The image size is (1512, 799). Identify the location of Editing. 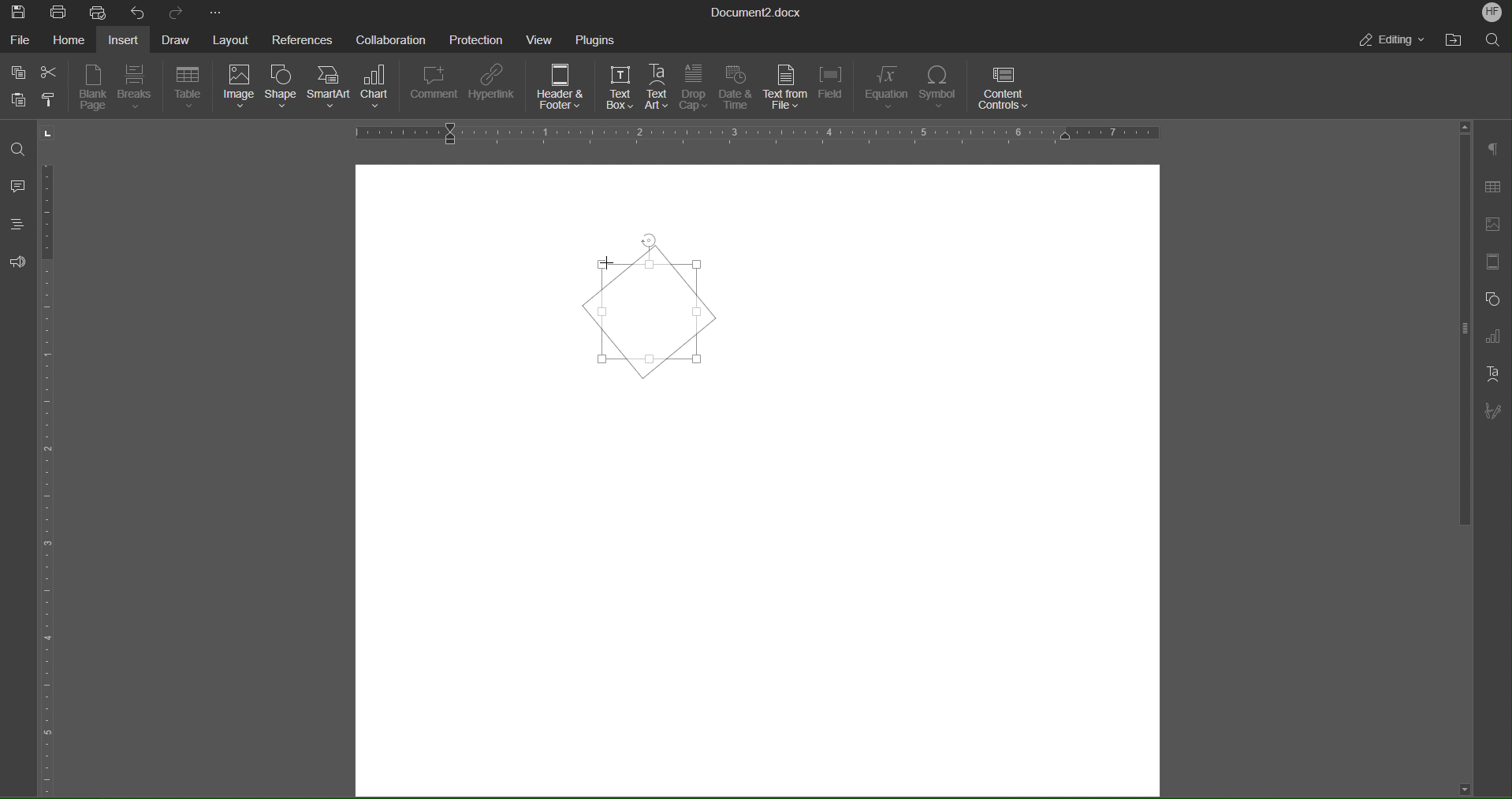
(1395, 42).